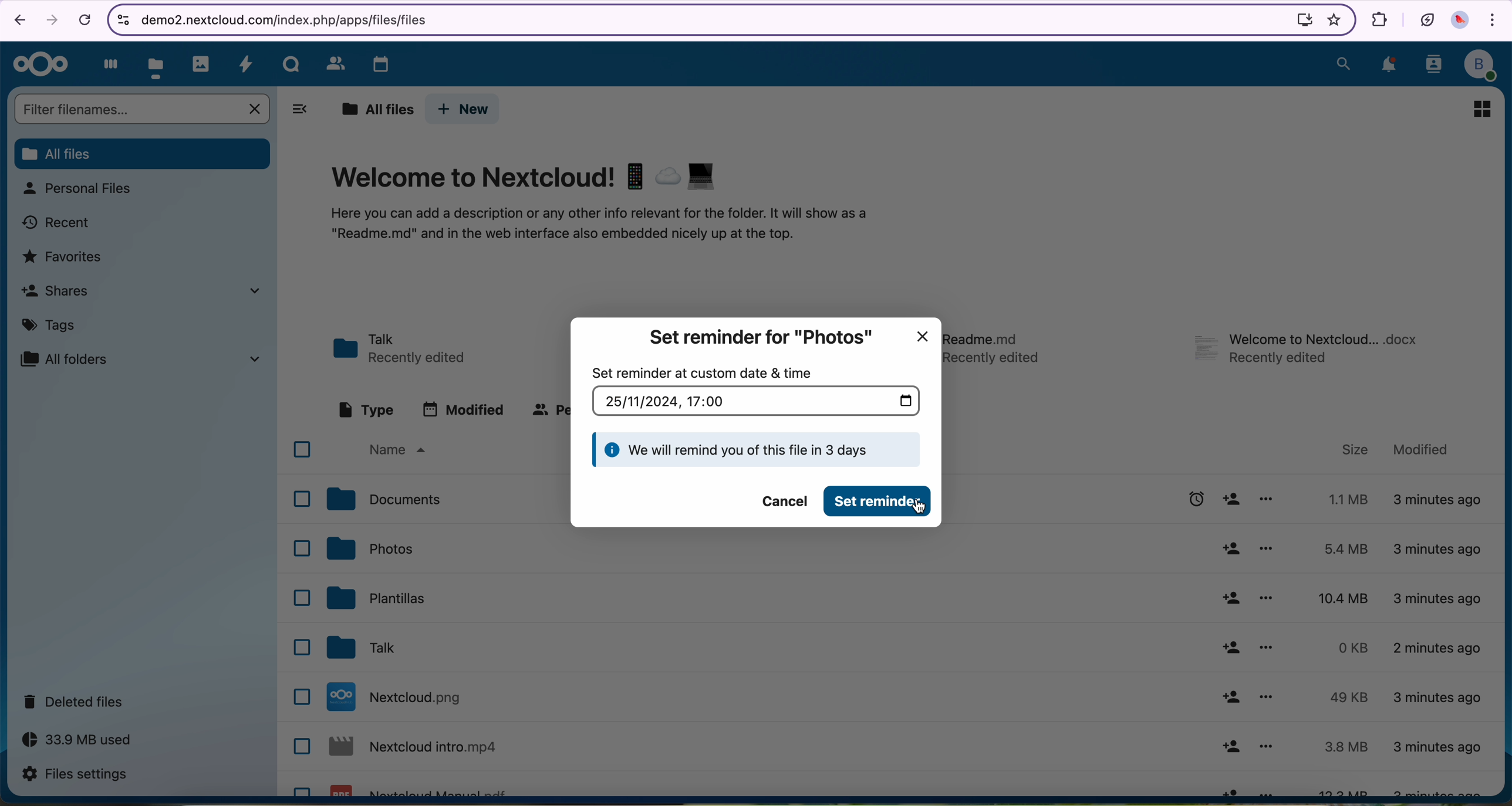  What do you see at coordinates (1229, 648) in the screenshot?
I see `share` at bounding box center [1229, 648].